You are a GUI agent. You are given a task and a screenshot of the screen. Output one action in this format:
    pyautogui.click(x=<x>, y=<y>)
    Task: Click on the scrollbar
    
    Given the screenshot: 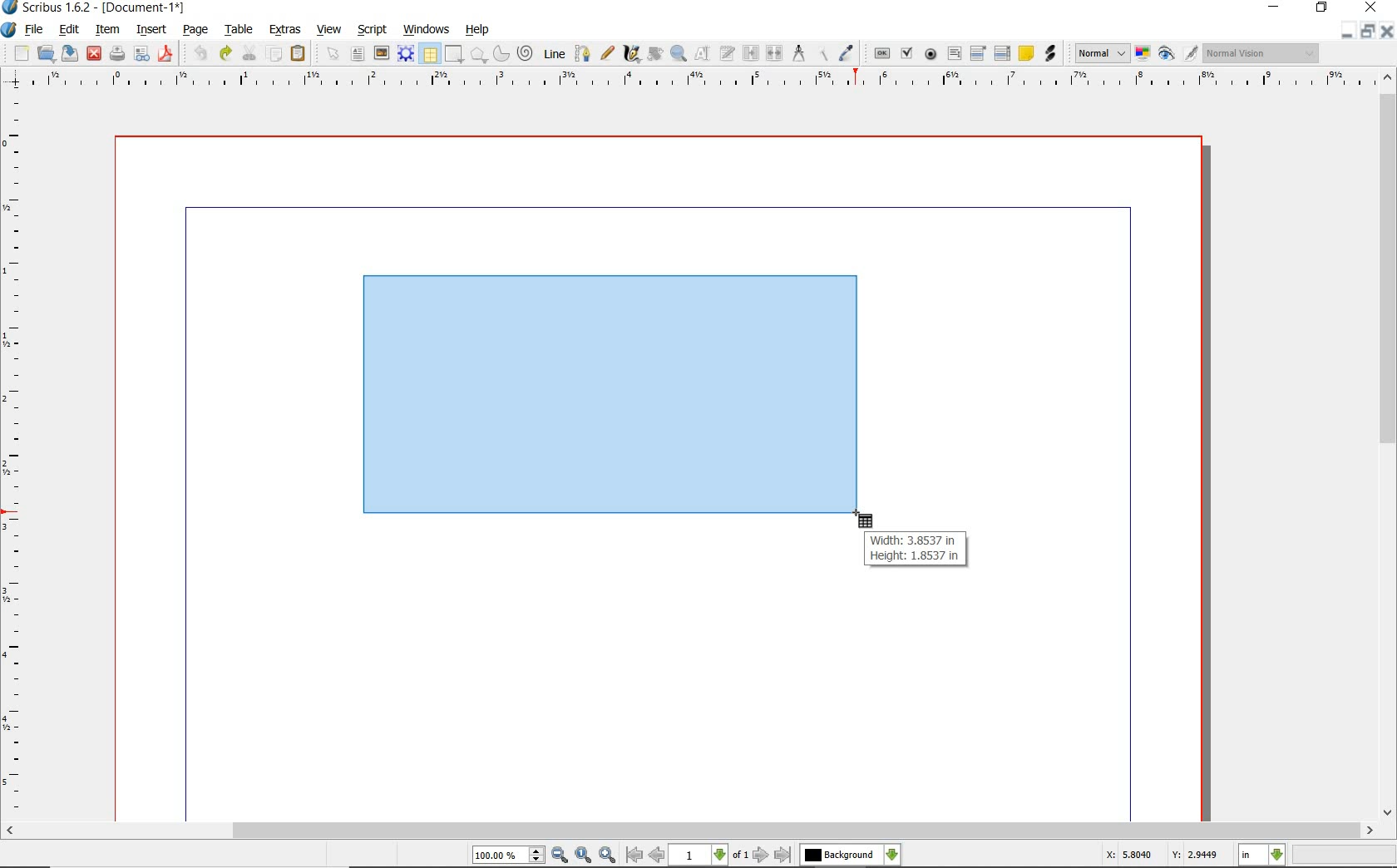 What is the action you would take?
    pyautogui.click(x=691, y=831)
    